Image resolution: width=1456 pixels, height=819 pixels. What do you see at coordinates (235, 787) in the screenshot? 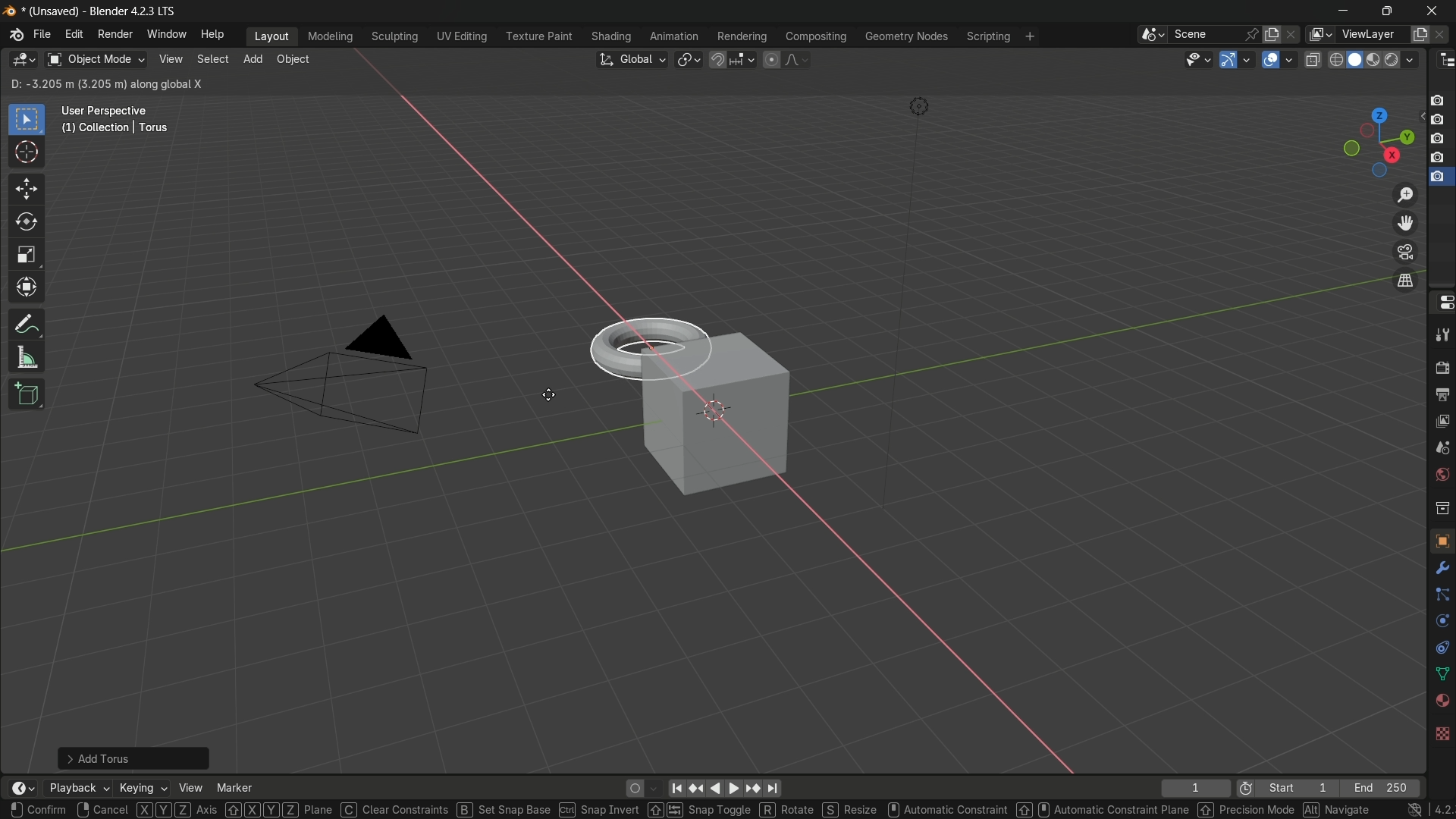
I see `marker` at bounding box center [235, 787].